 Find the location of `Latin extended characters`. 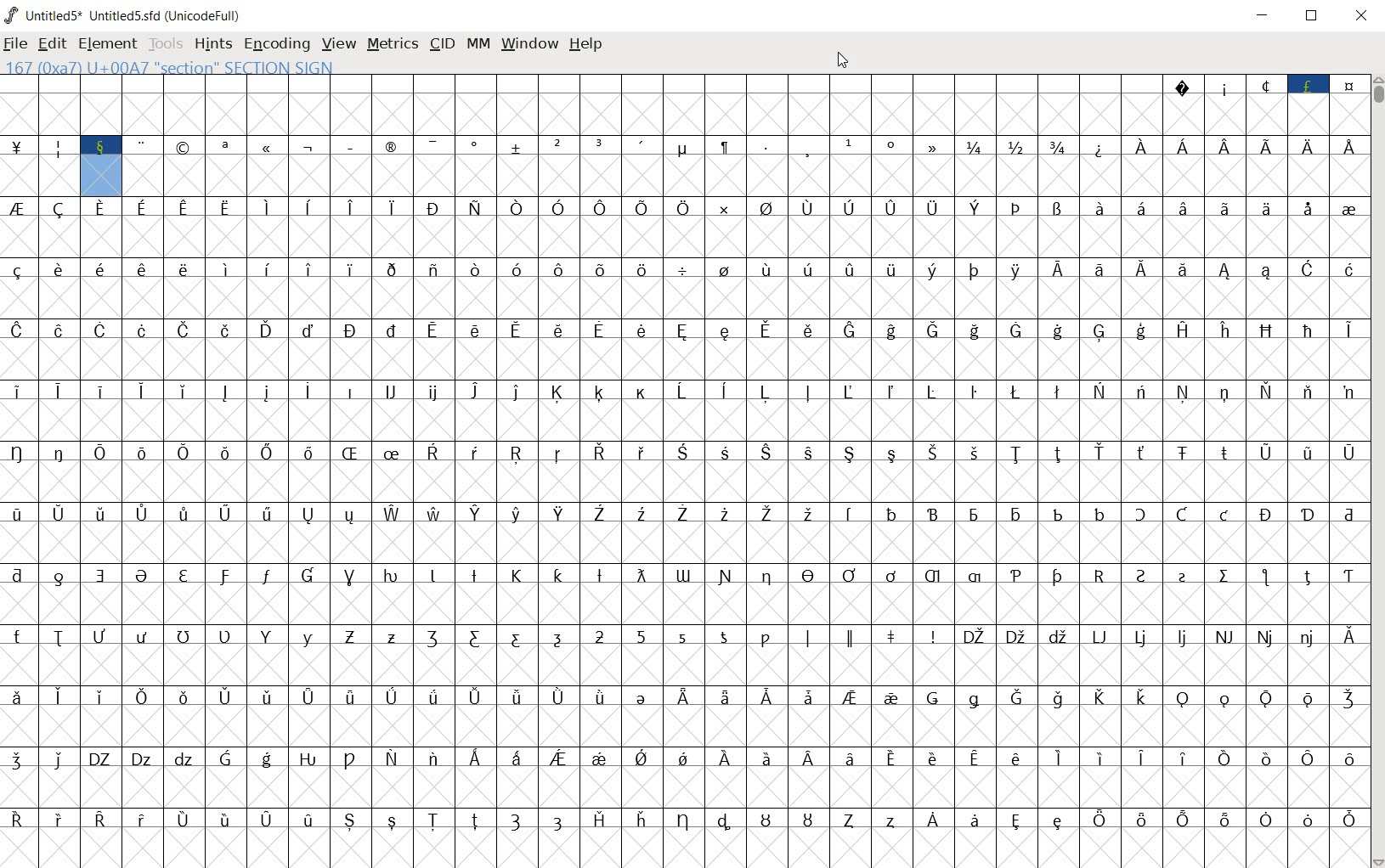

Latin extended characters is located at coordinates (557, 288).